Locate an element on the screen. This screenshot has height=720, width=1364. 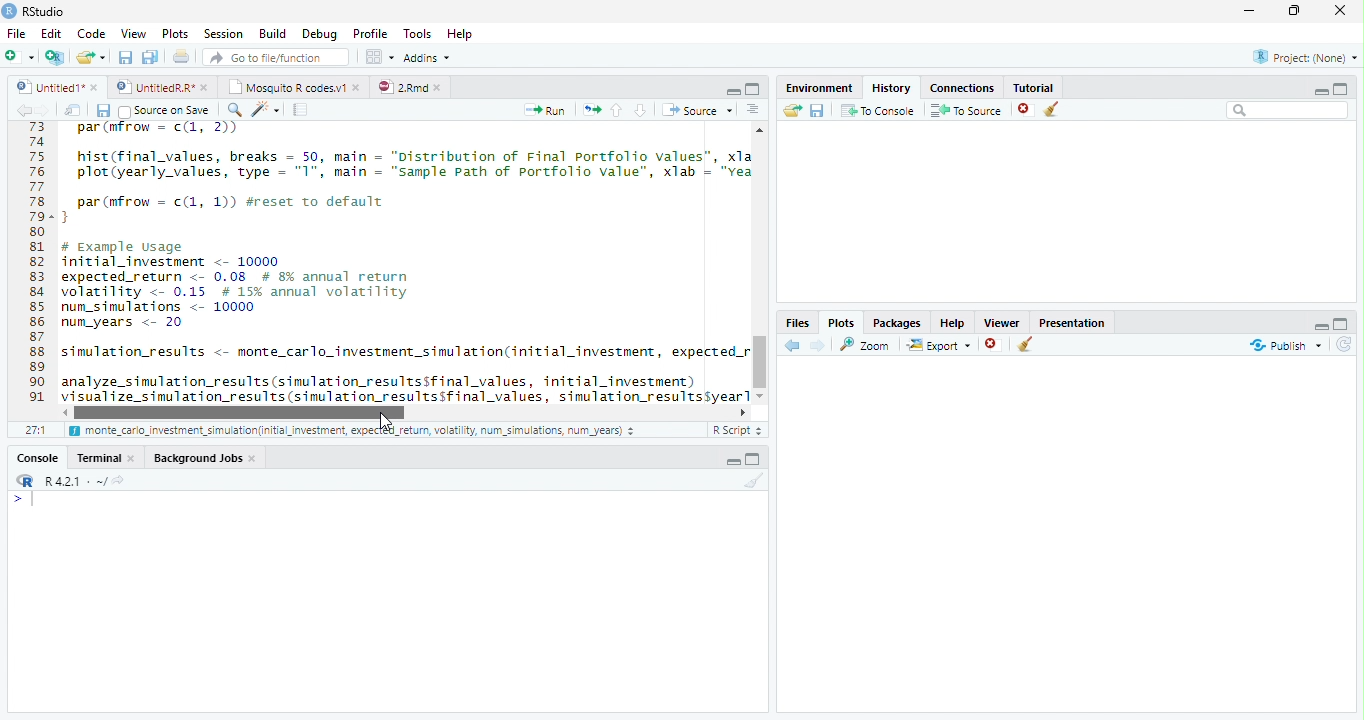
R 4.2.1 ~/ is located at coordinates (67, 479).